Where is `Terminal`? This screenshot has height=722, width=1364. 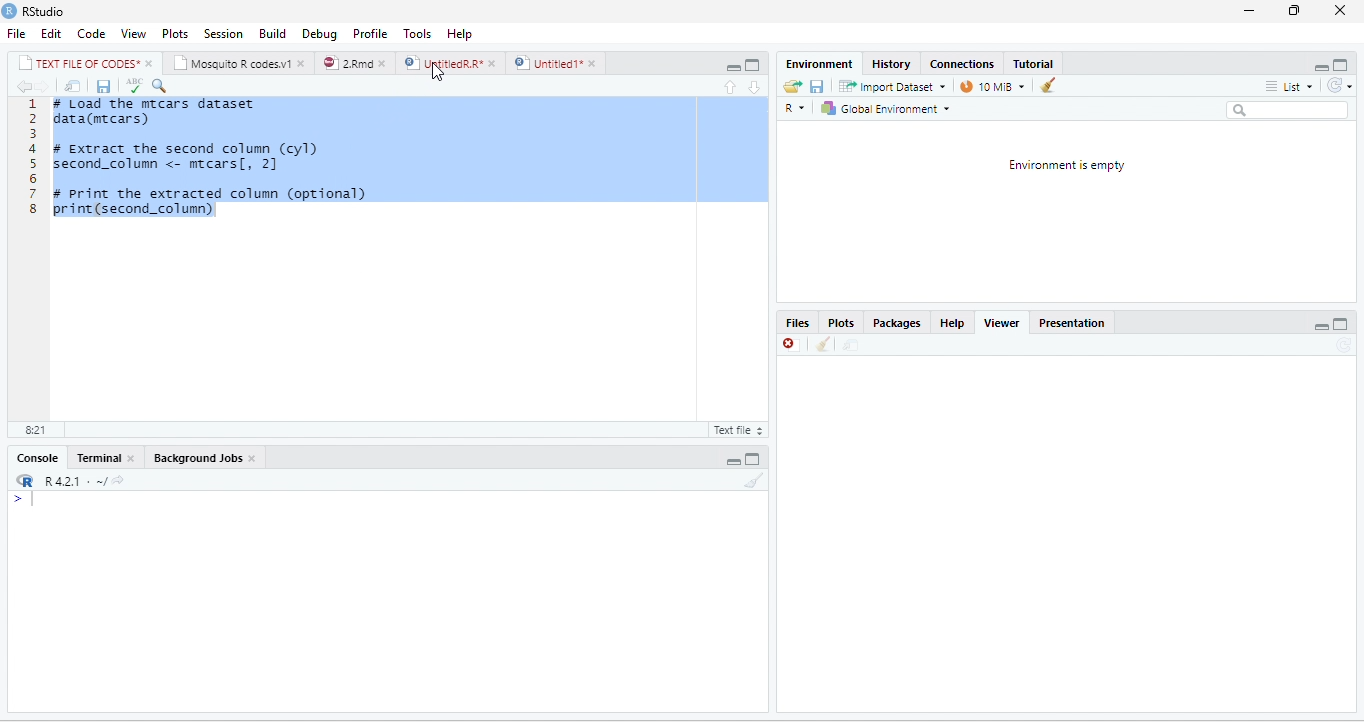
Terminal is located at coordinates (97, 459).